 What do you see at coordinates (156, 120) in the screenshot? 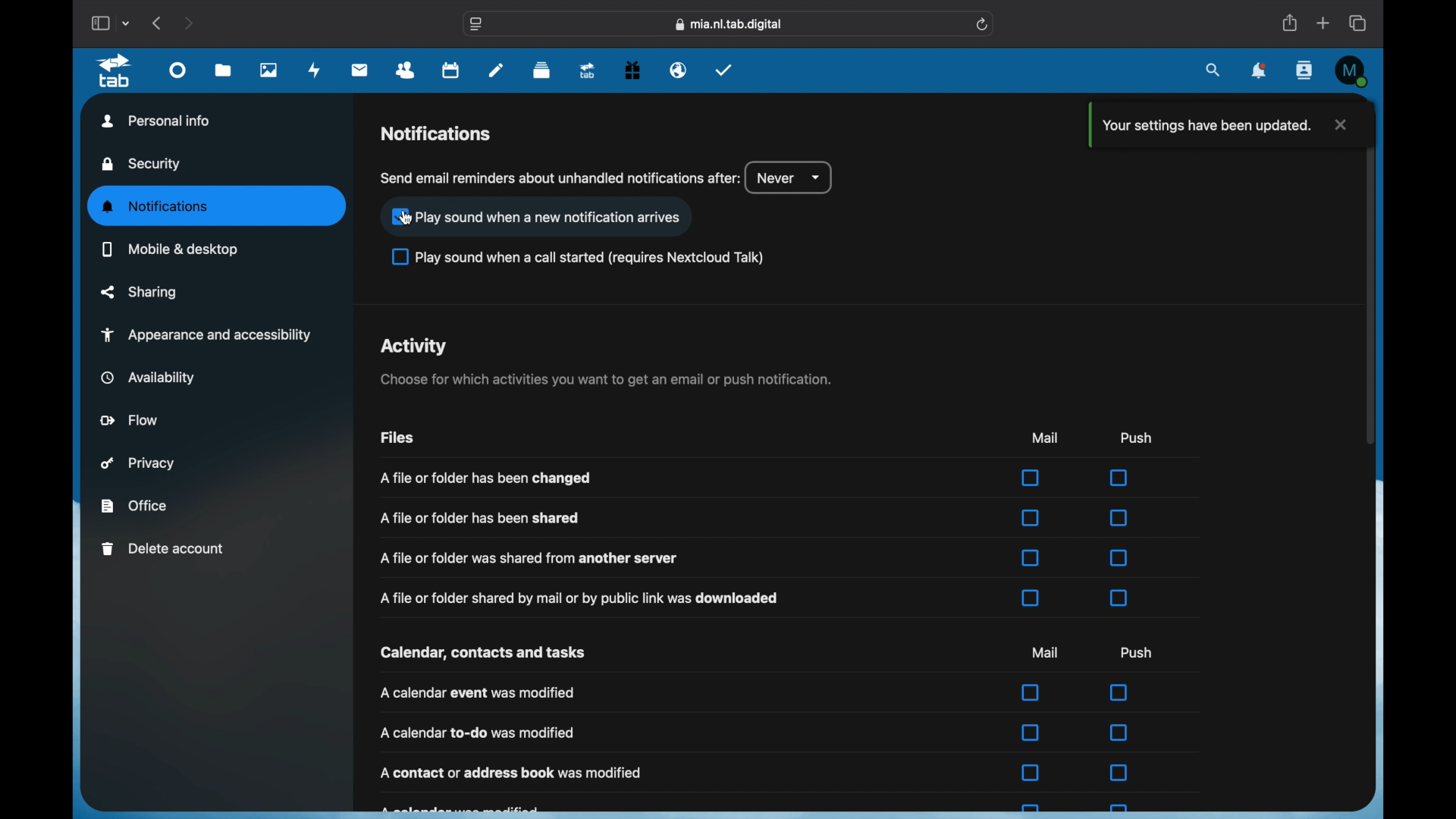
I see `personal info` at bounding box center [156, 120].